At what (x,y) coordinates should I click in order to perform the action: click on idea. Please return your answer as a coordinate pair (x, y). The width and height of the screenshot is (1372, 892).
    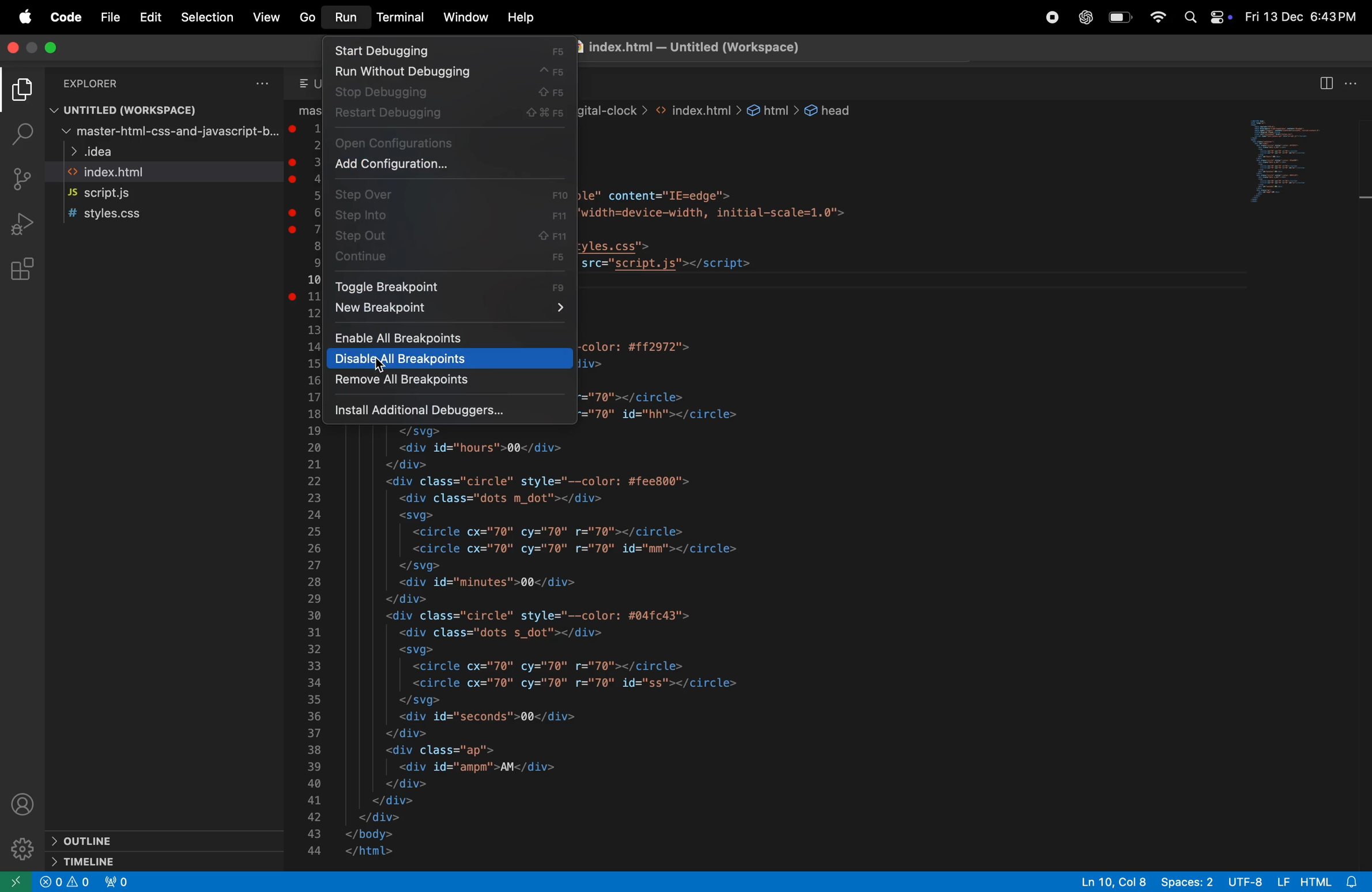
    Looking at the image, I should click on (99, 153).